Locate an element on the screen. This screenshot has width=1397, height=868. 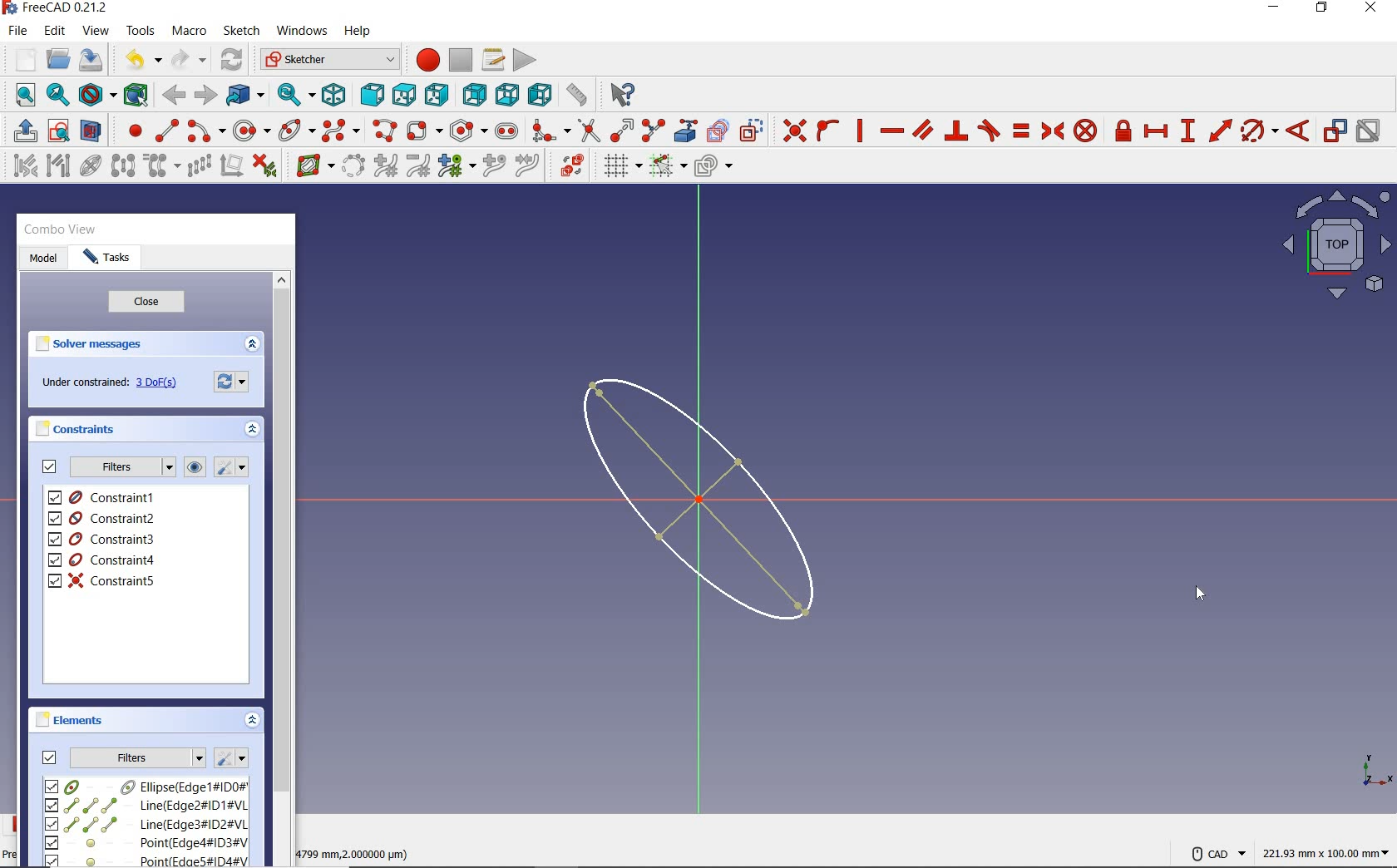
execute macro is located at coordinates (526, 58).